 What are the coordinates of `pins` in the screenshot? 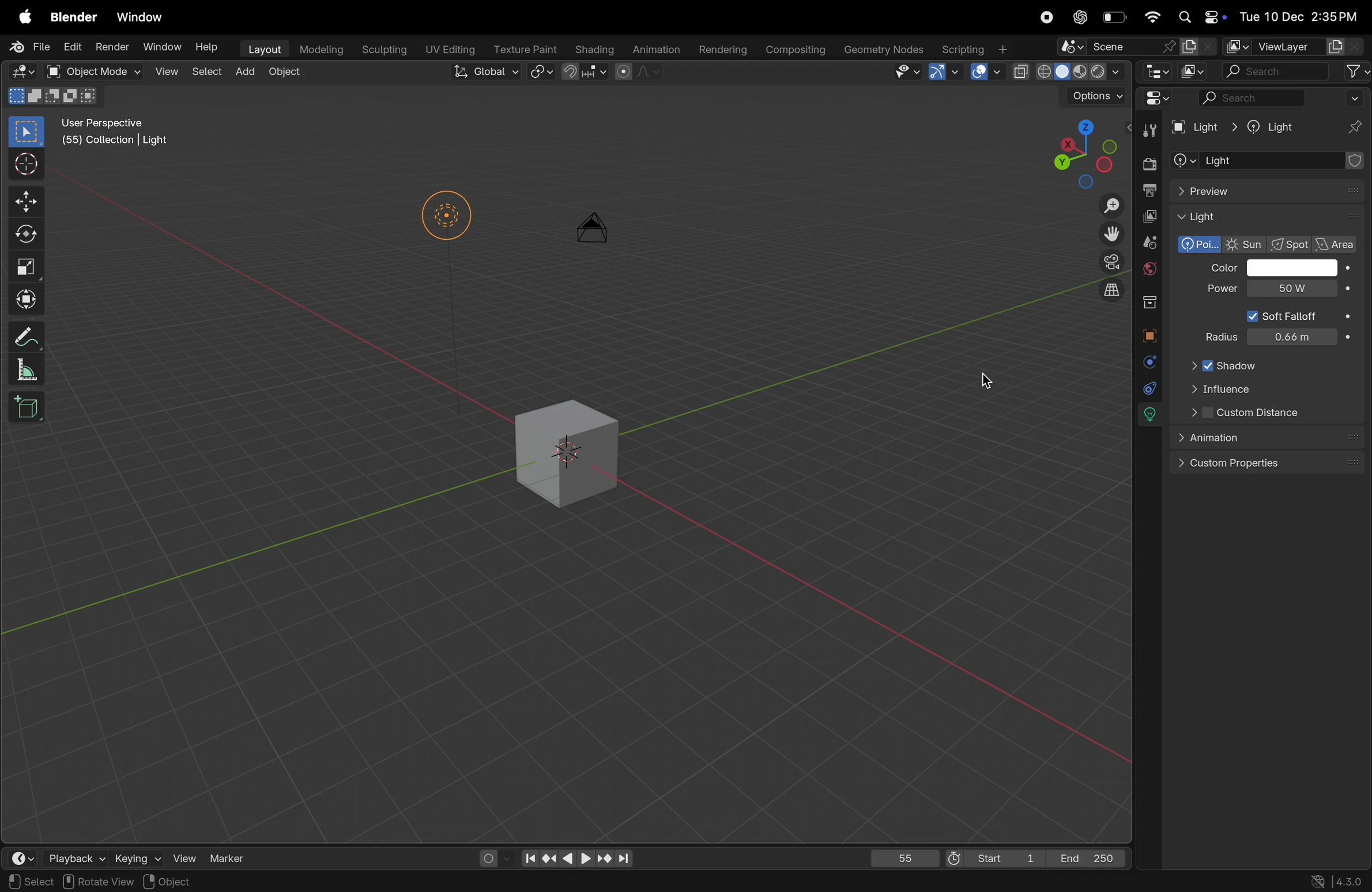 It's located at (1356, 126).